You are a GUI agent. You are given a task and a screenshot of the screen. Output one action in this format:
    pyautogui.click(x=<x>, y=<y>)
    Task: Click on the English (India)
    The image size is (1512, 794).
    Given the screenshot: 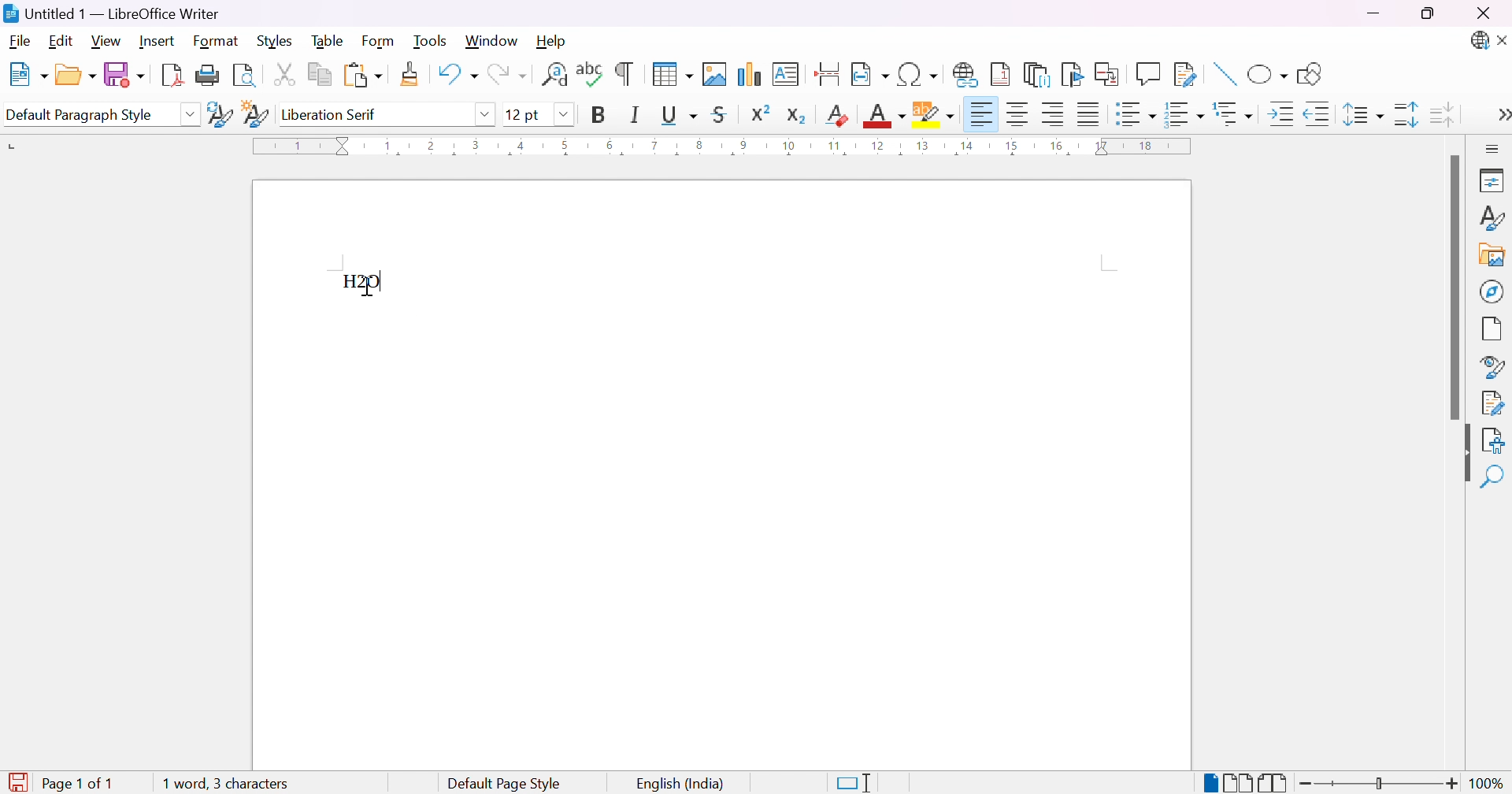 What is the action you would take?
    pyautogui.click(x=681, y=785)
    